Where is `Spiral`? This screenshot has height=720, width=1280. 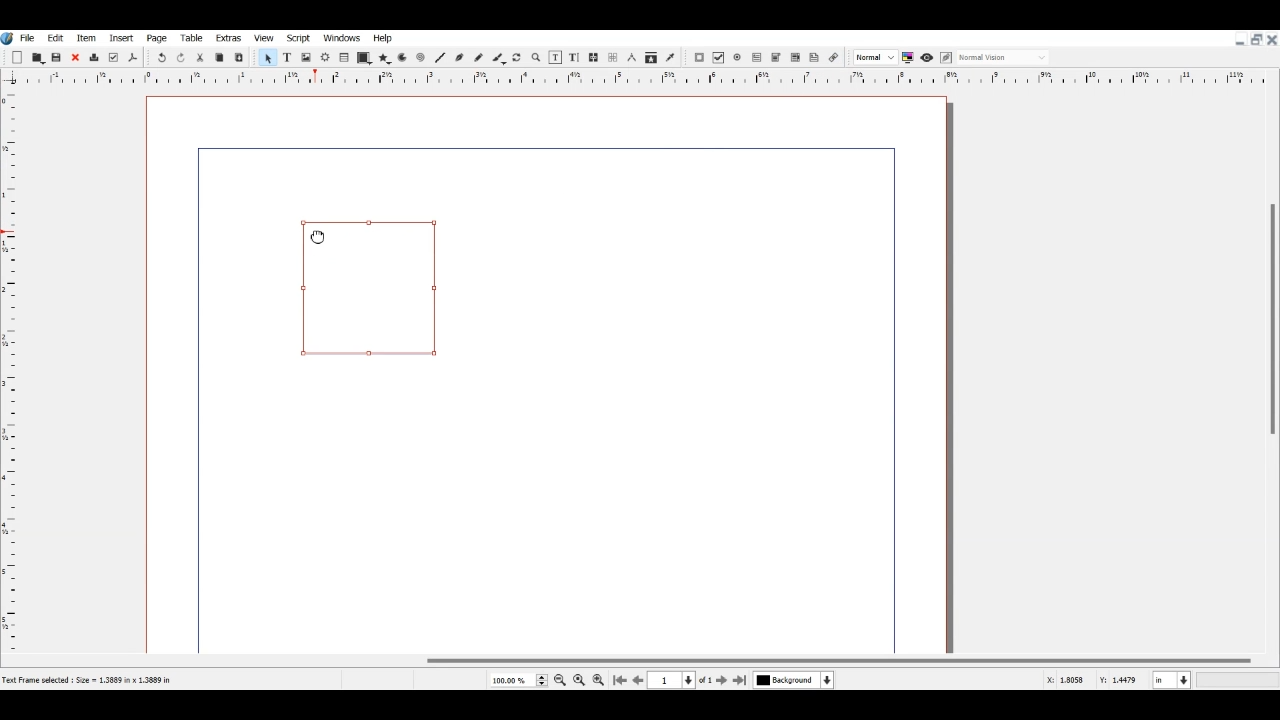 Spiral is located at coordinates (420, 58).